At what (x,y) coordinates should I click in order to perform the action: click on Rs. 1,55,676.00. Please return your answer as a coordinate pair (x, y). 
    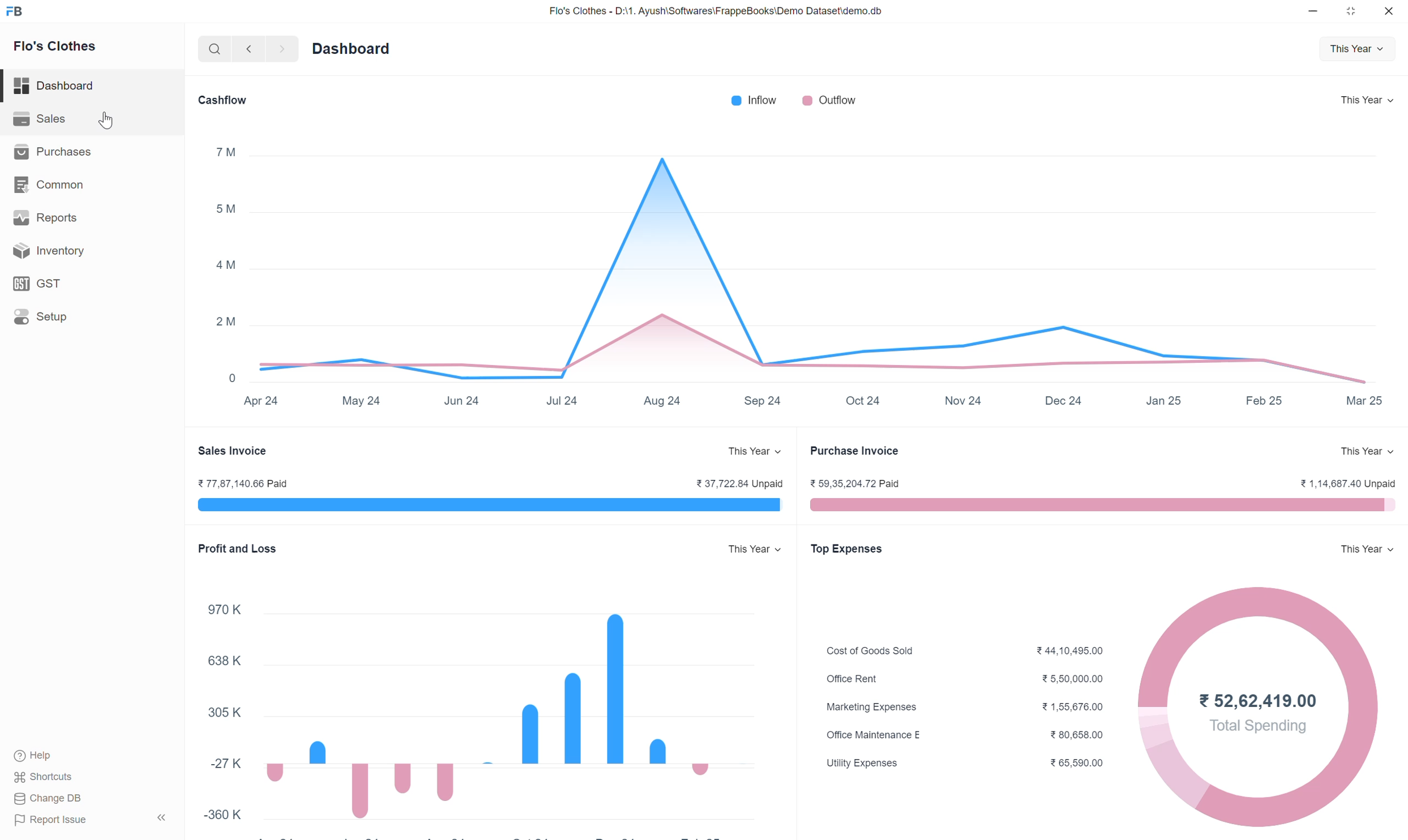
    Looking at the image, I should click on (1075, 710).